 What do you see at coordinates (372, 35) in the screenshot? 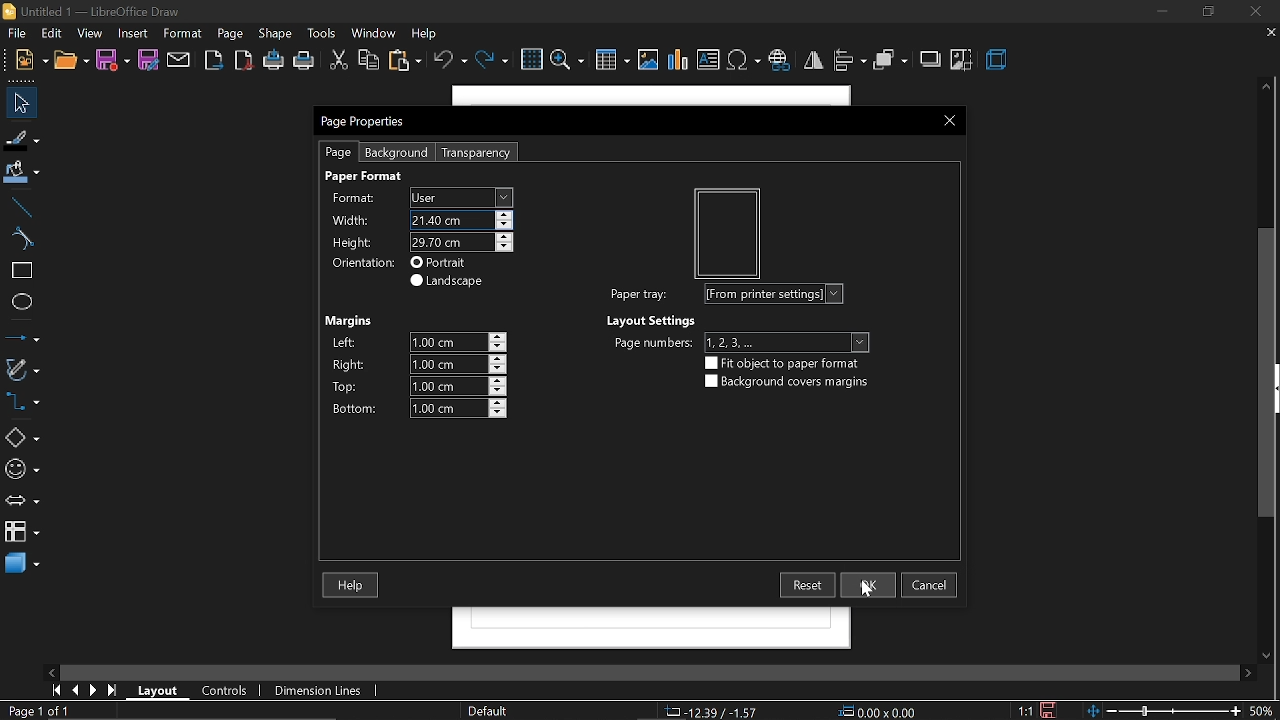
I see `window` at bounding box center [372, 35].